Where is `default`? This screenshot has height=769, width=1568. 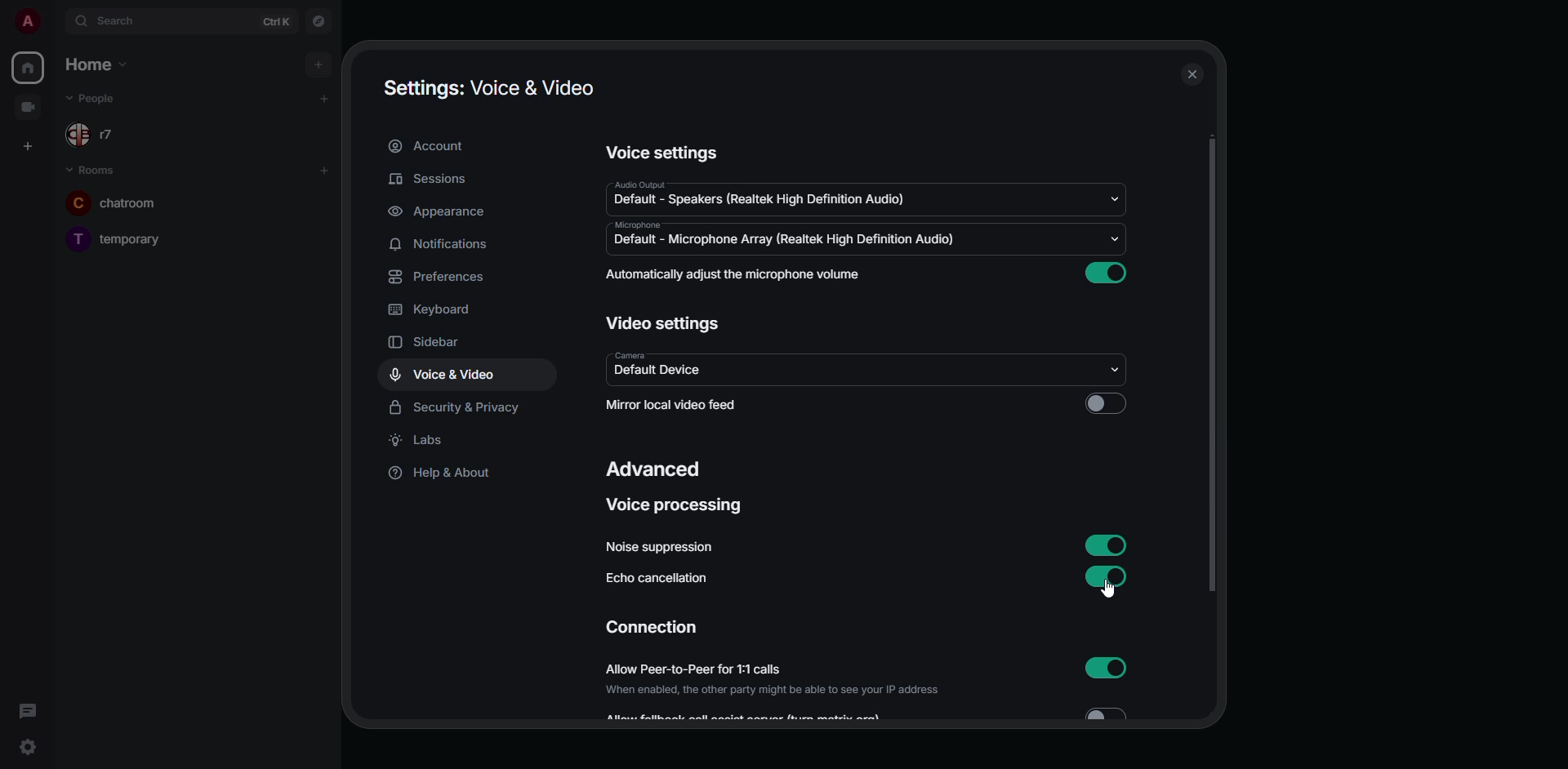 default is located at coordinates (786, 239).